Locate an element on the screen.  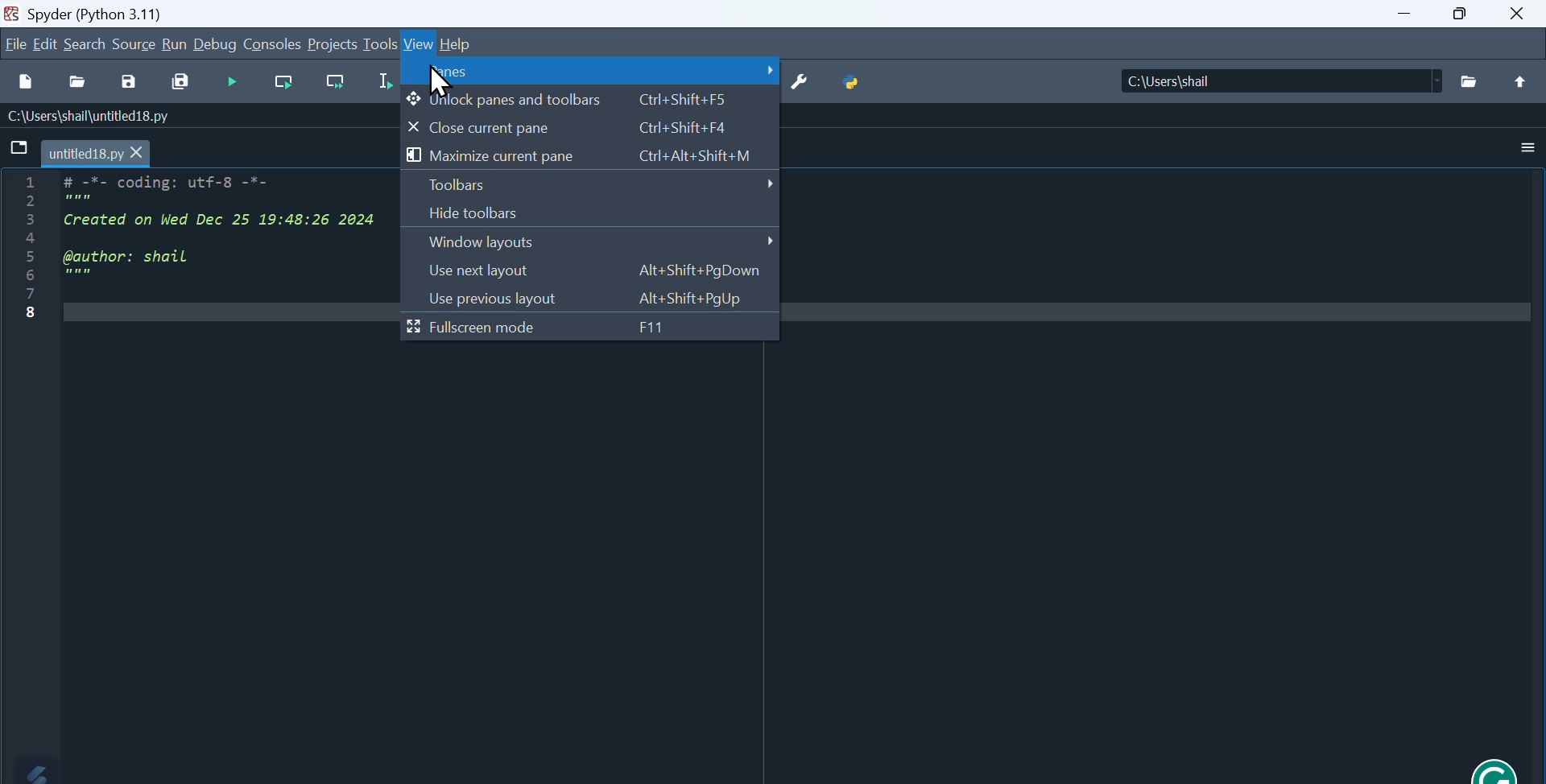
untitled18.py is located at coordinates (96, 152).